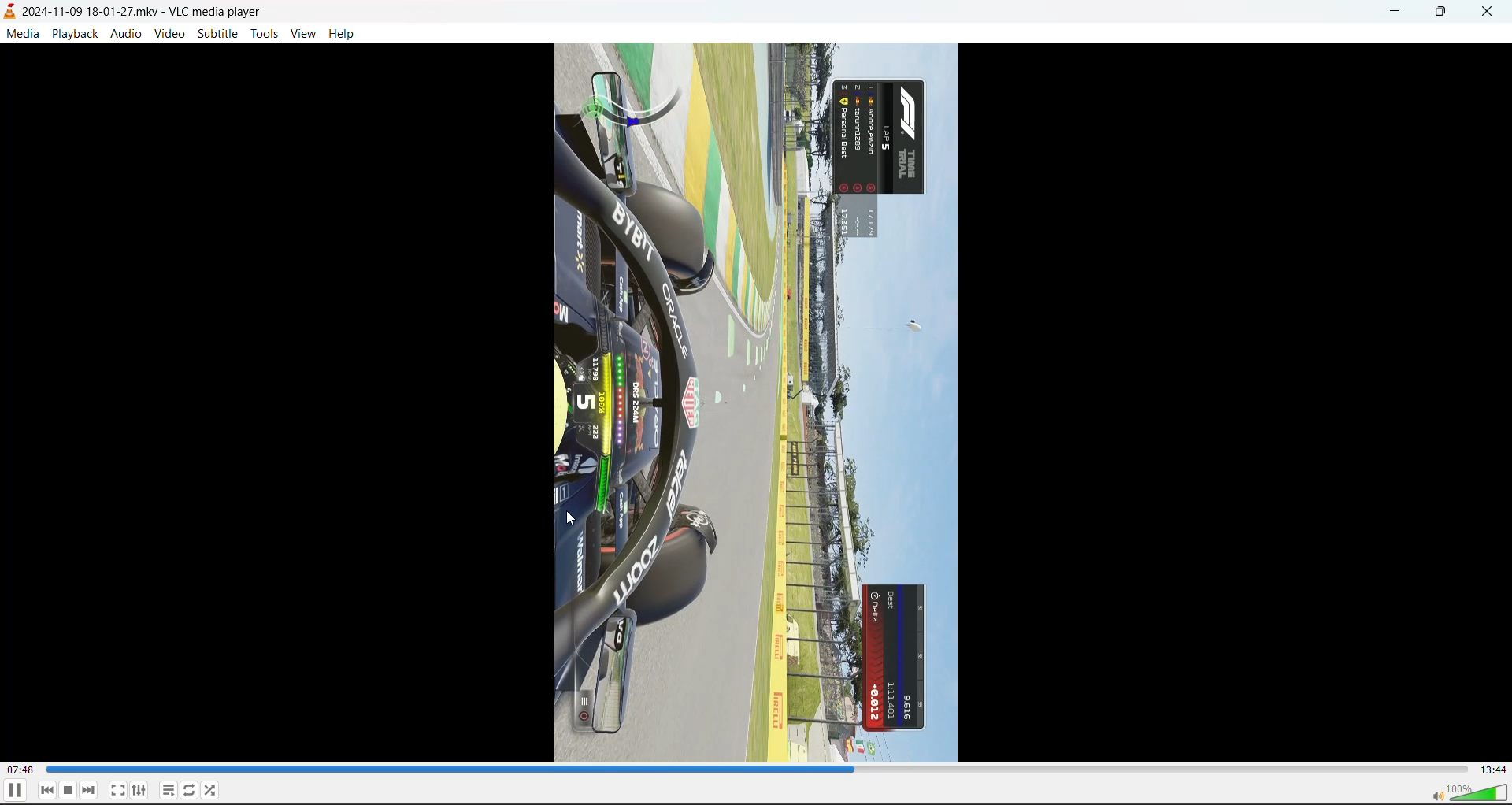  Describe the element at coordinates (23, 770) in the screenshot. I see `current track time` at that location.